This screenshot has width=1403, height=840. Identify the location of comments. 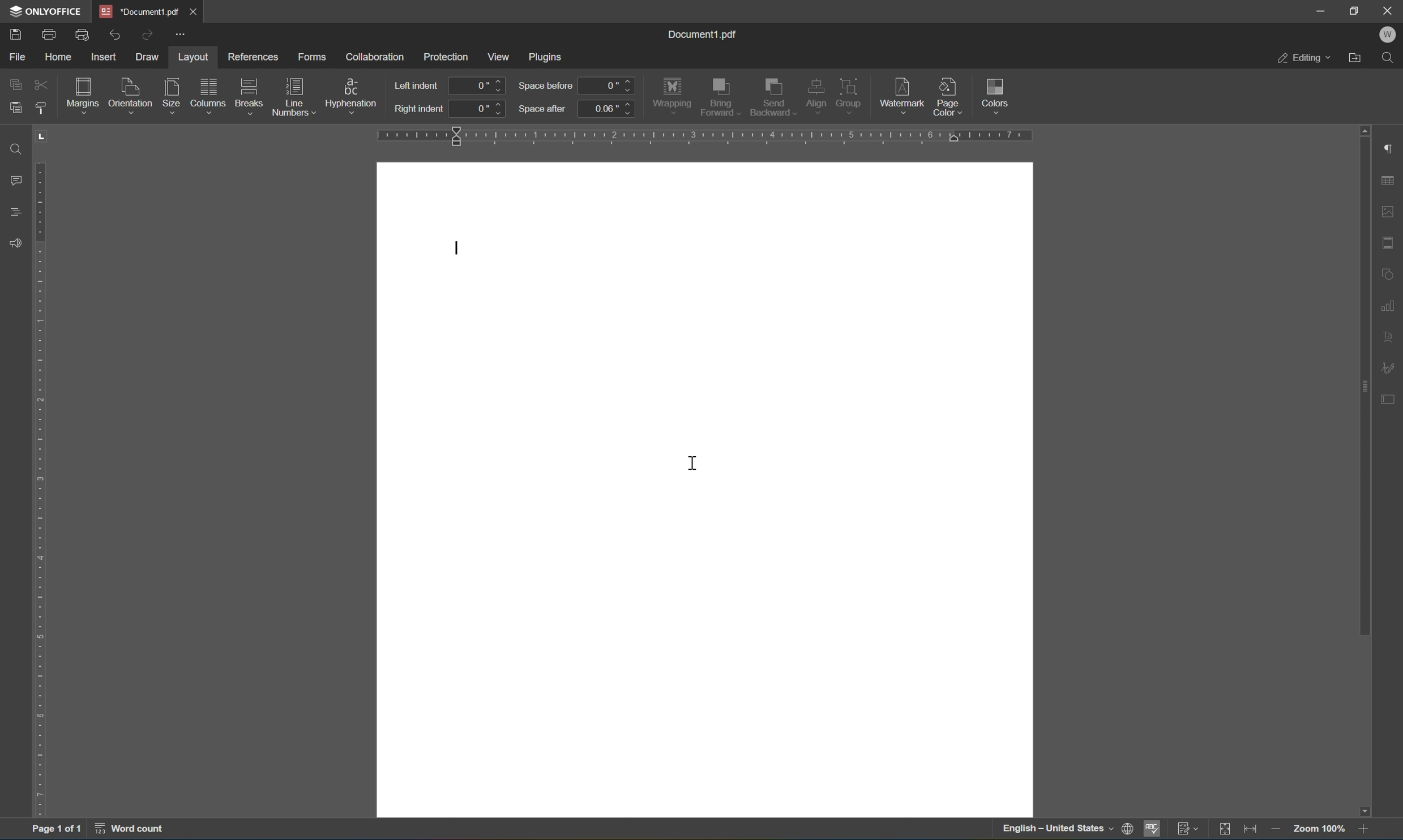
(13, 181).